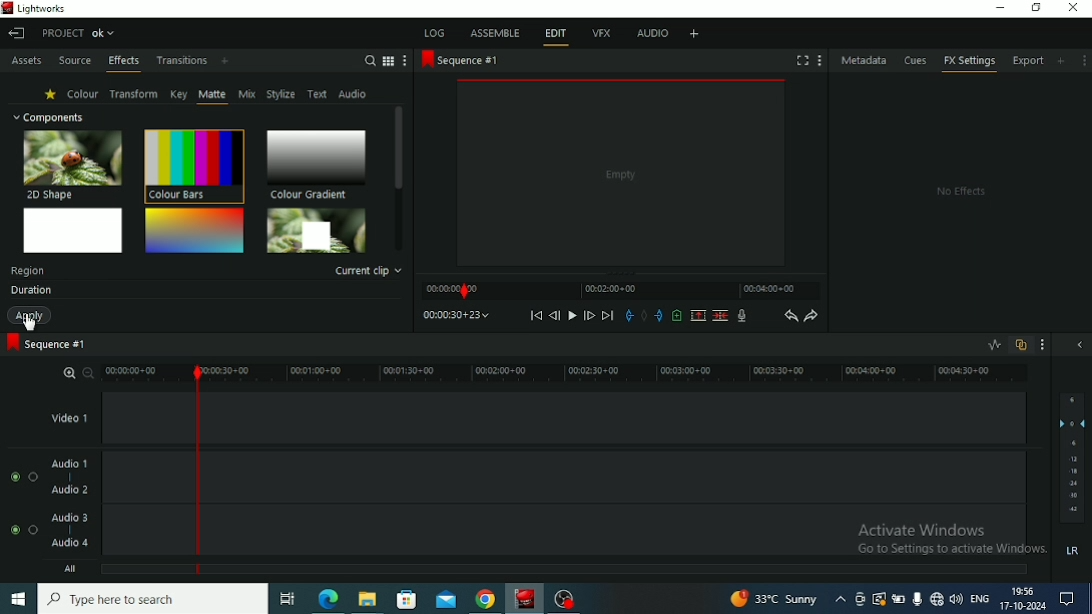 Image resolution: width=1092 pixels, height=614 pixels. What do you see at coordinates (819, 60) in the screenshot?
I see `Show setting menu` at bounding box center [819, 60].